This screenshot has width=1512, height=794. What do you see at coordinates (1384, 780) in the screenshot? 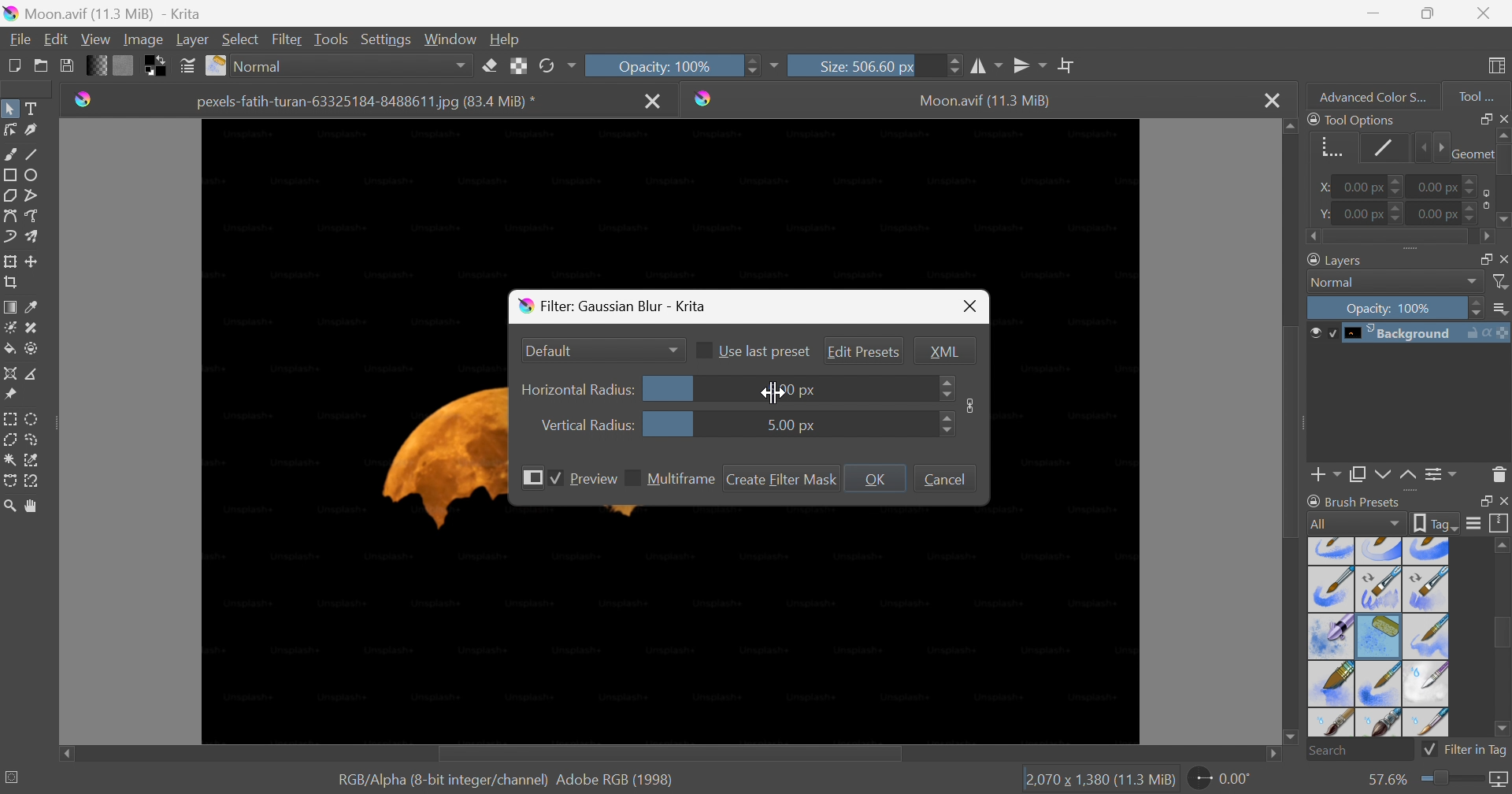
I see `57.6%` at bounding box center [1384, 780].